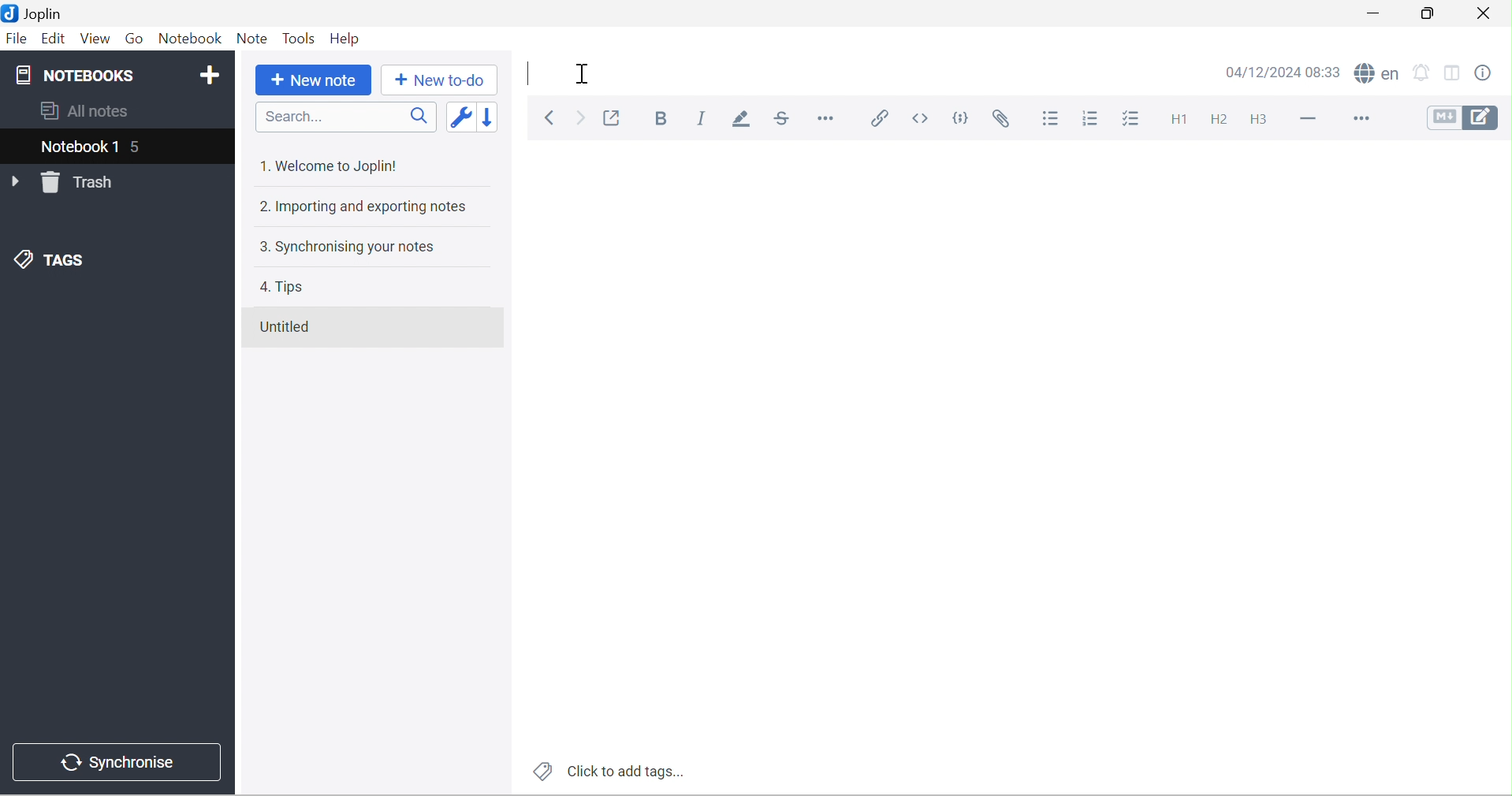  What do you see at coordinates (210, 76) in the screenshot?
I see `Add notebook` at bounding box center [210, 76].